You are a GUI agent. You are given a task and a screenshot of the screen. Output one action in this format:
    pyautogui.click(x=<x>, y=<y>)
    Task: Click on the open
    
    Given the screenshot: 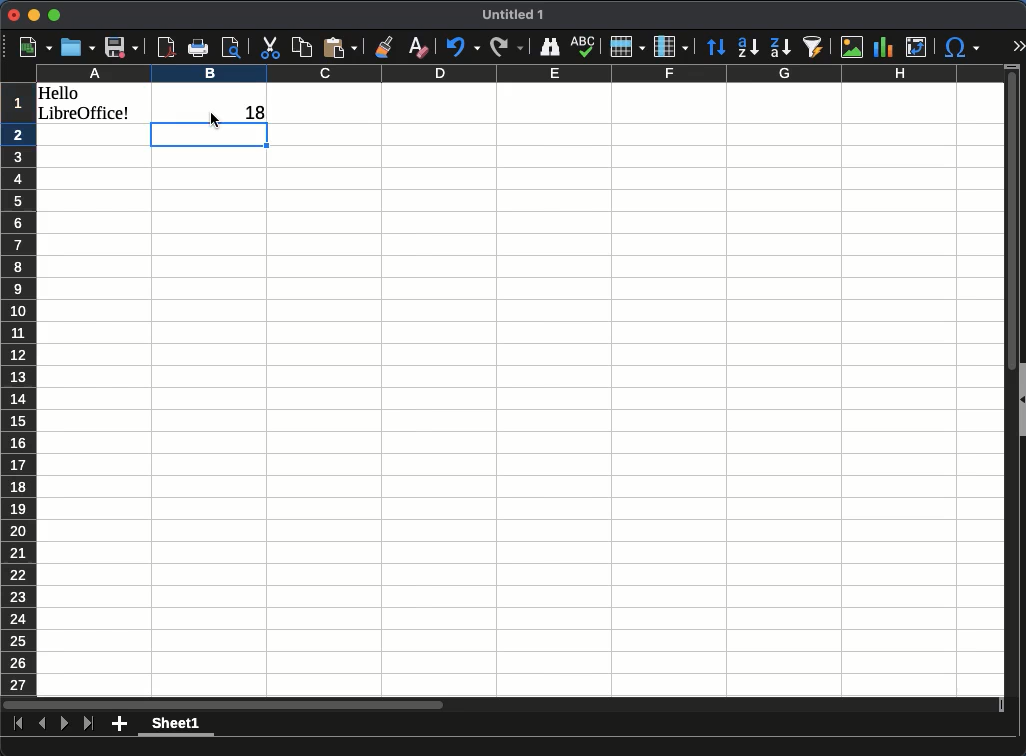 What is the action you would take?
    pyautogui.click(x=75, y=46)
    